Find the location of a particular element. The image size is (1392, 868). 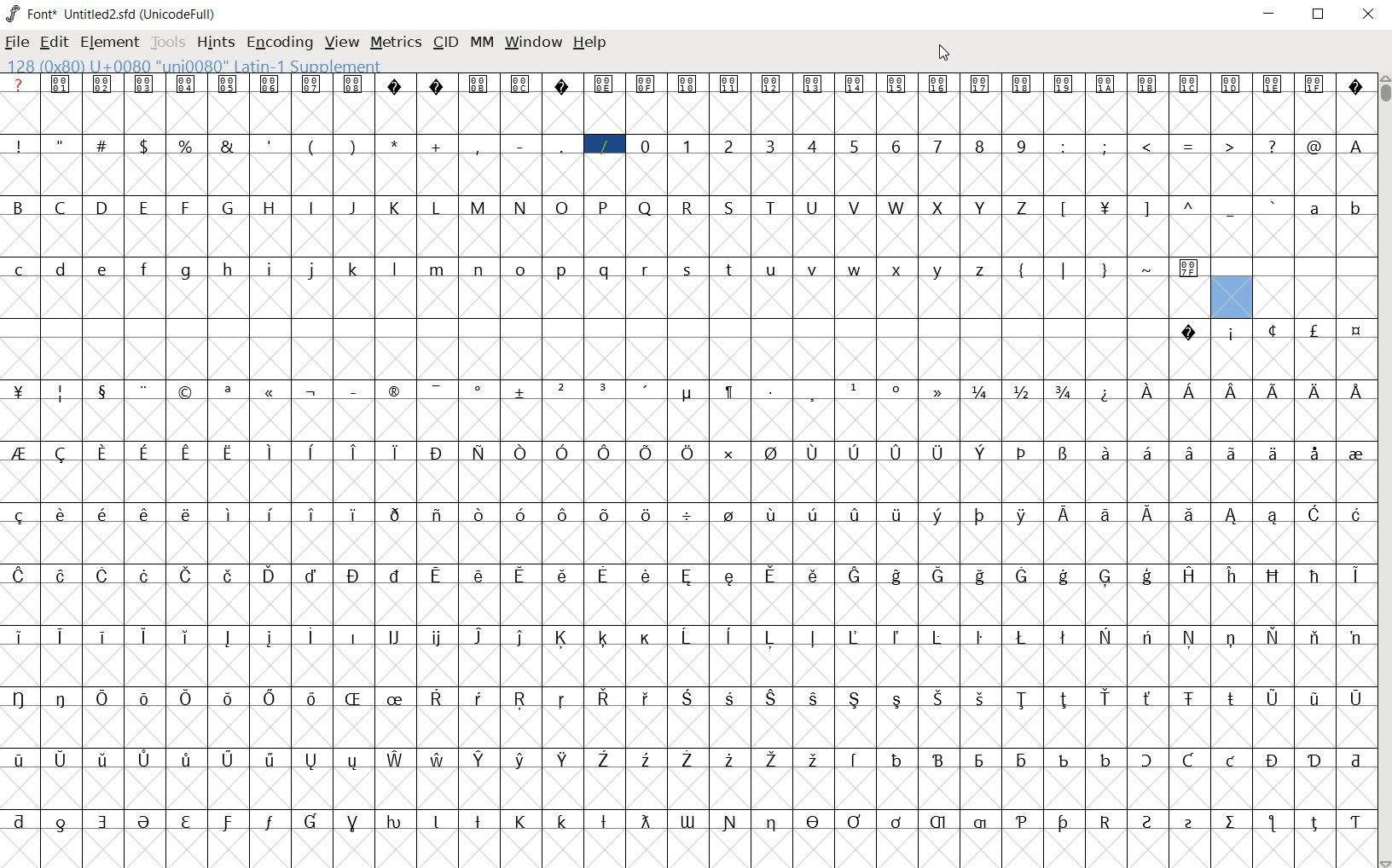

glyph is located at coordinates (603, 516).